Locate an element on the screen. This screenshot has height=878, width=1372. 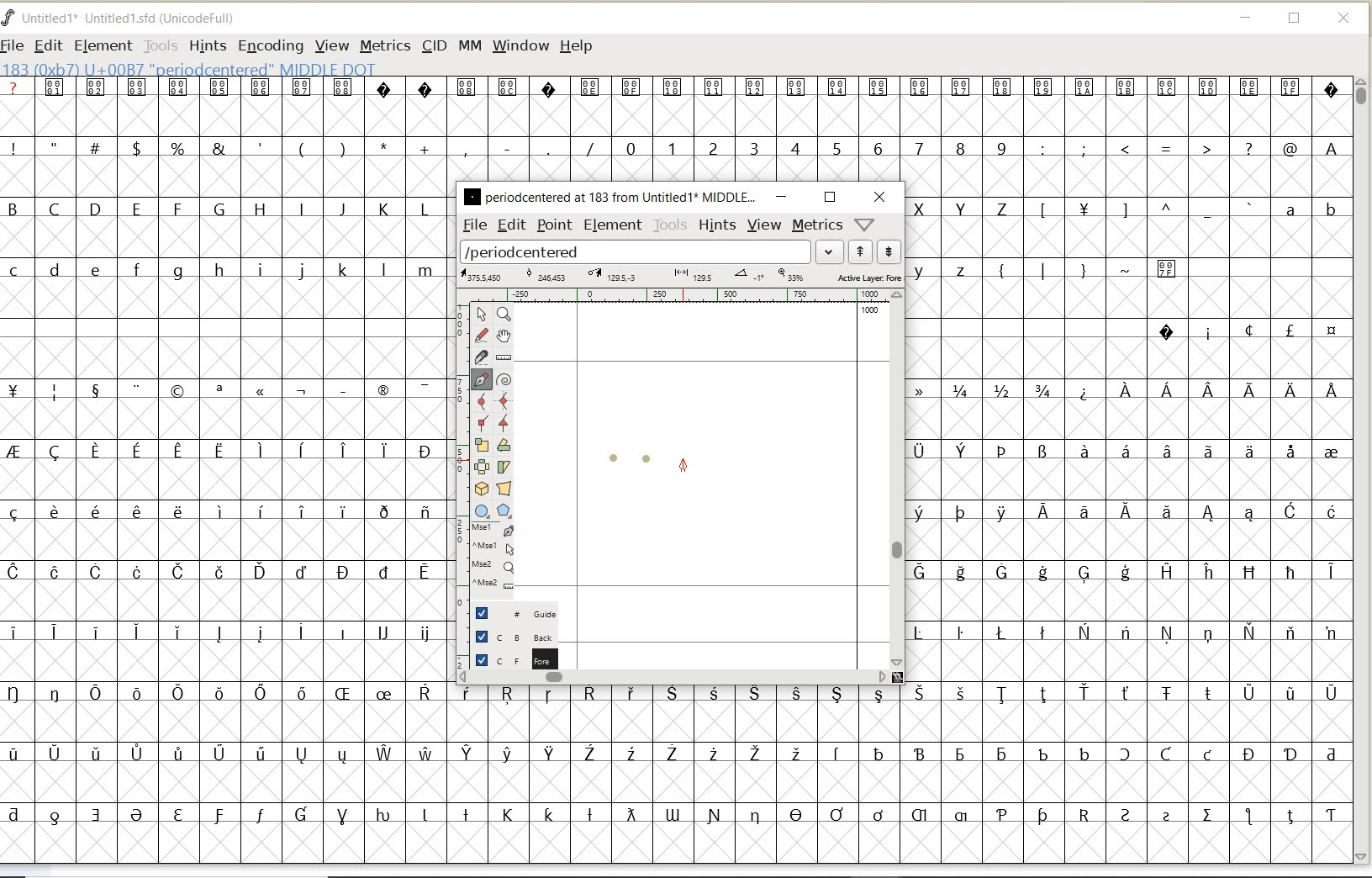
Add a corner point is located at coordinates (481, 422).